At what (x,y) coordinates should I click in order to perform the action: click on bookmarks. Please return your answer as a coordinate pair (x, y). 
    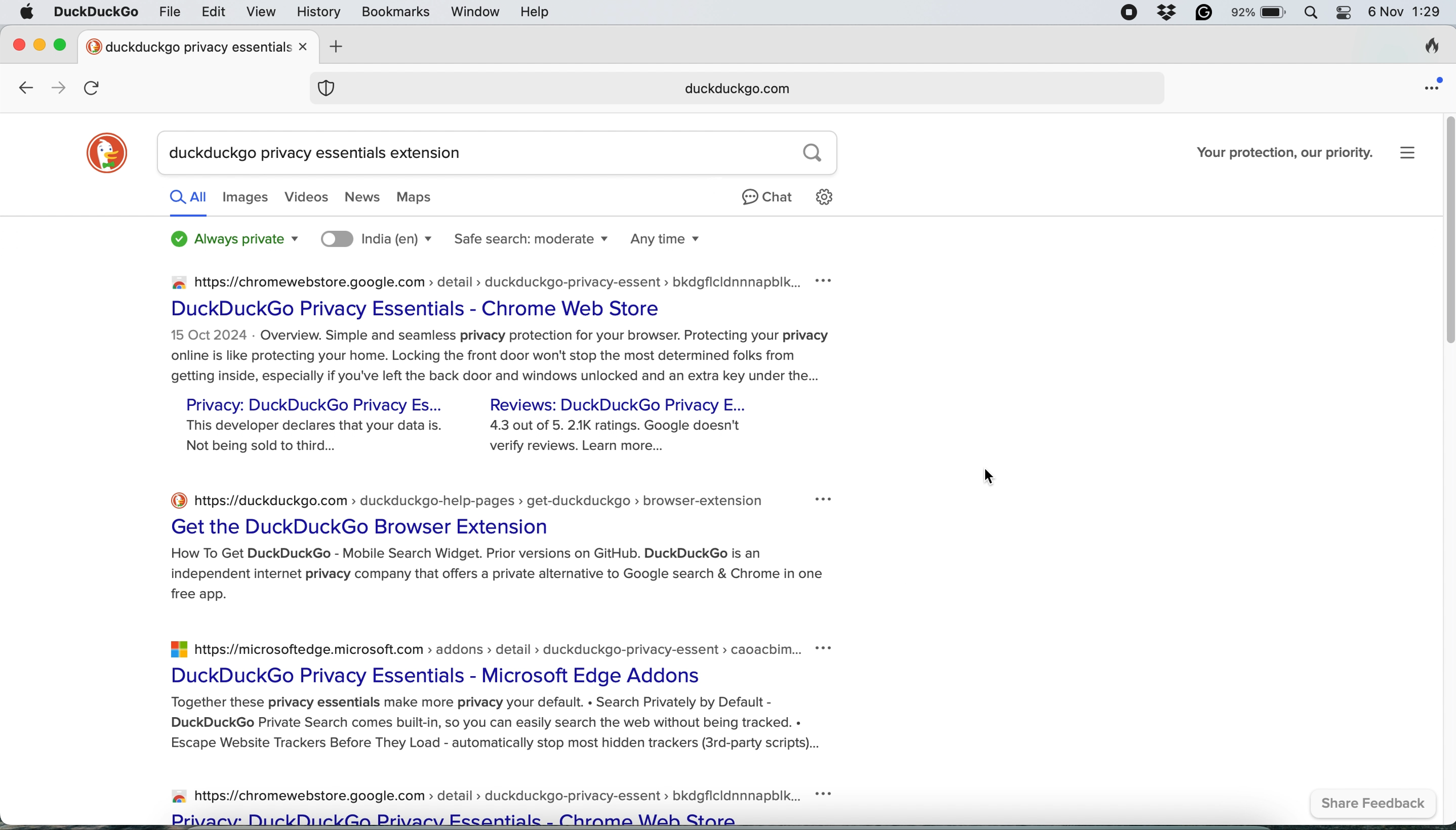
    Looking at the image, I should click on (399, 13).